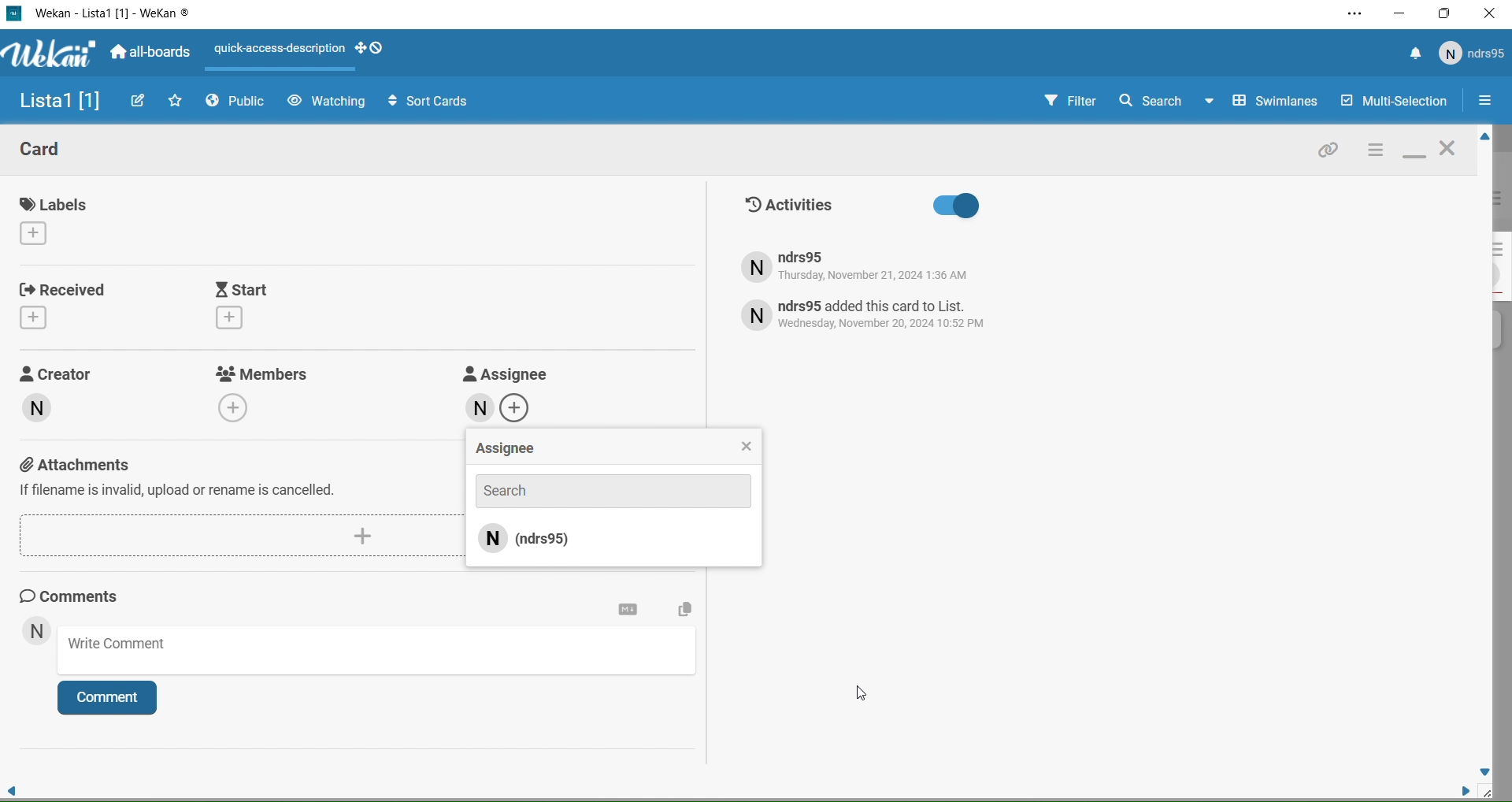  What do you see at coordinates (266, 392) in the screenshot?
I see `Members` at bounding box center [266, 392].